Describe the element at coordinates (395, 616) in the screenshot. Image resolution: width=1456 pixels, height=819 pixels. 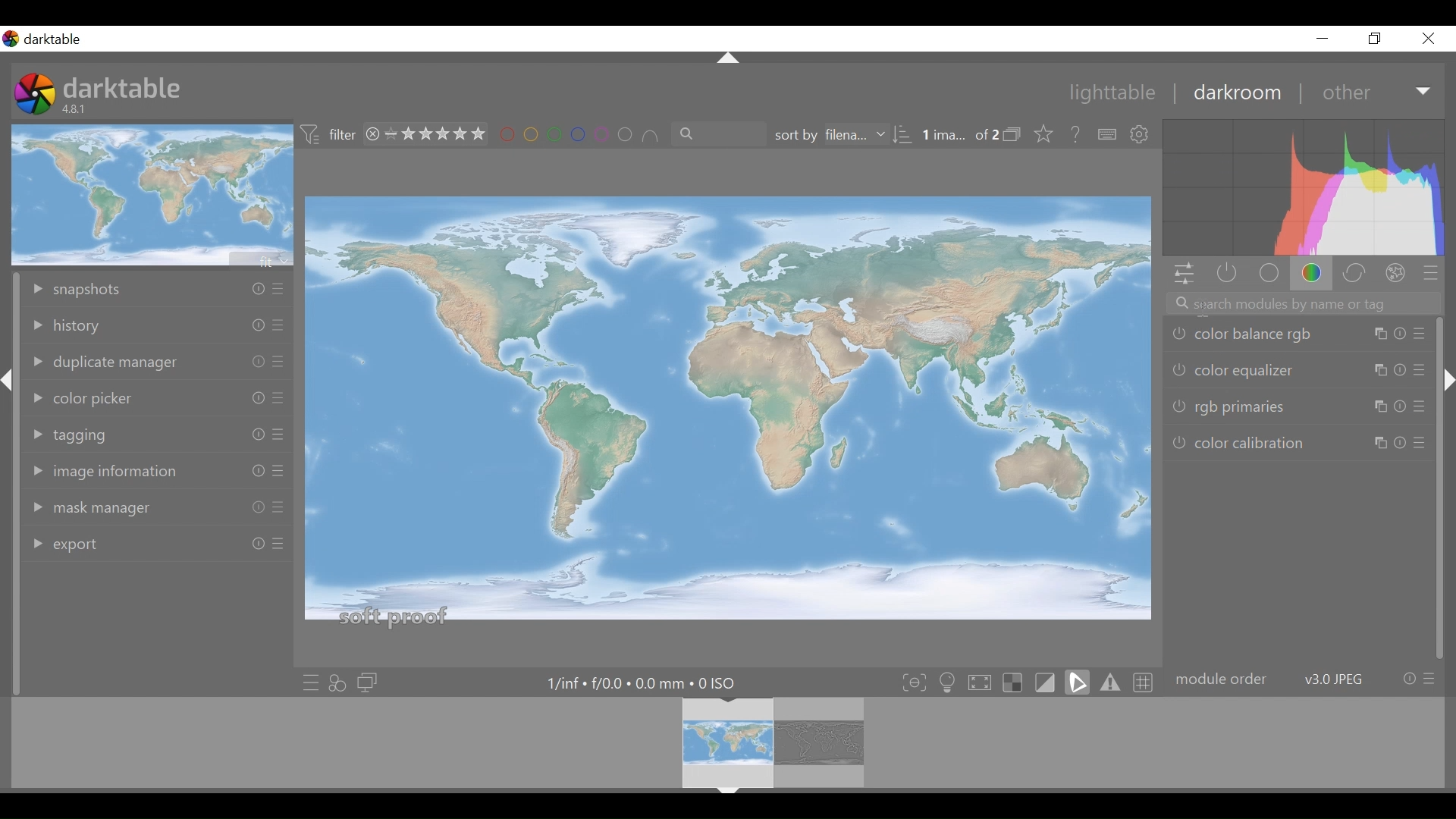
I see `soft proof` at that location.